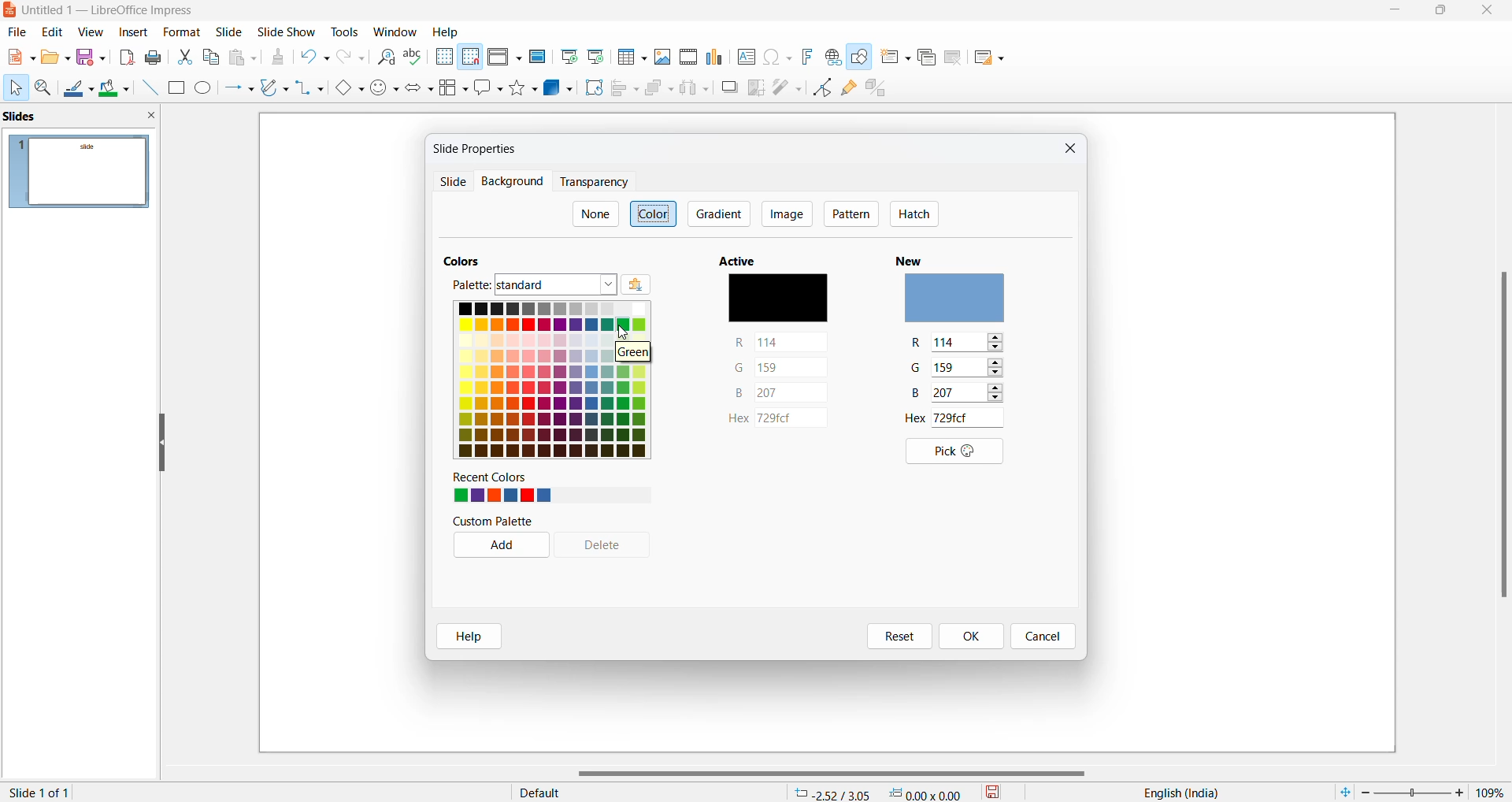 This screenshot has height=802, width=1512. I want to click on increment and decrement, so click(995, 343).